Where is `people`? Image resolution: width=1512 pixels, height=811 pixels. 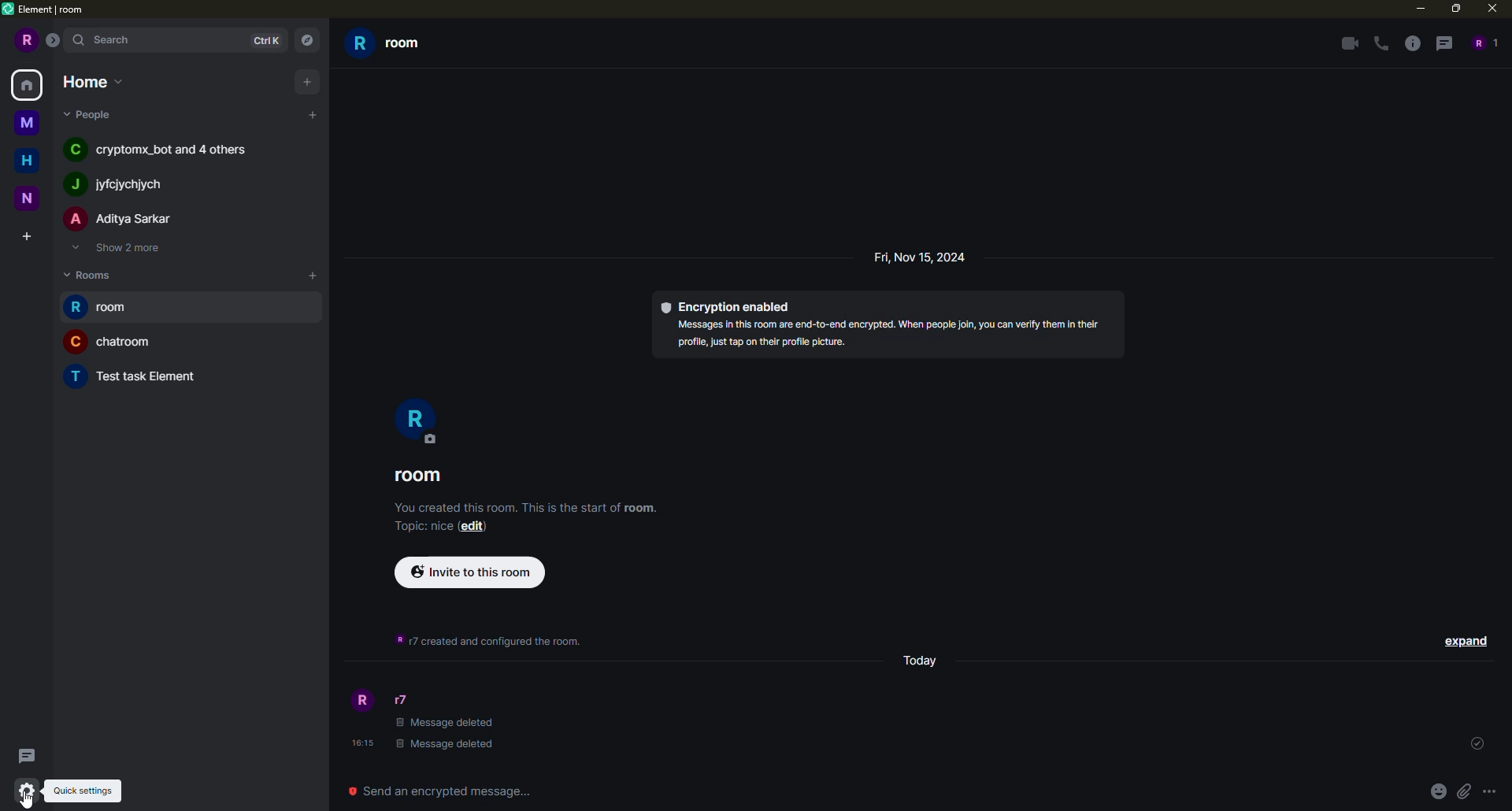
people is located at coordinates (1482, 43).